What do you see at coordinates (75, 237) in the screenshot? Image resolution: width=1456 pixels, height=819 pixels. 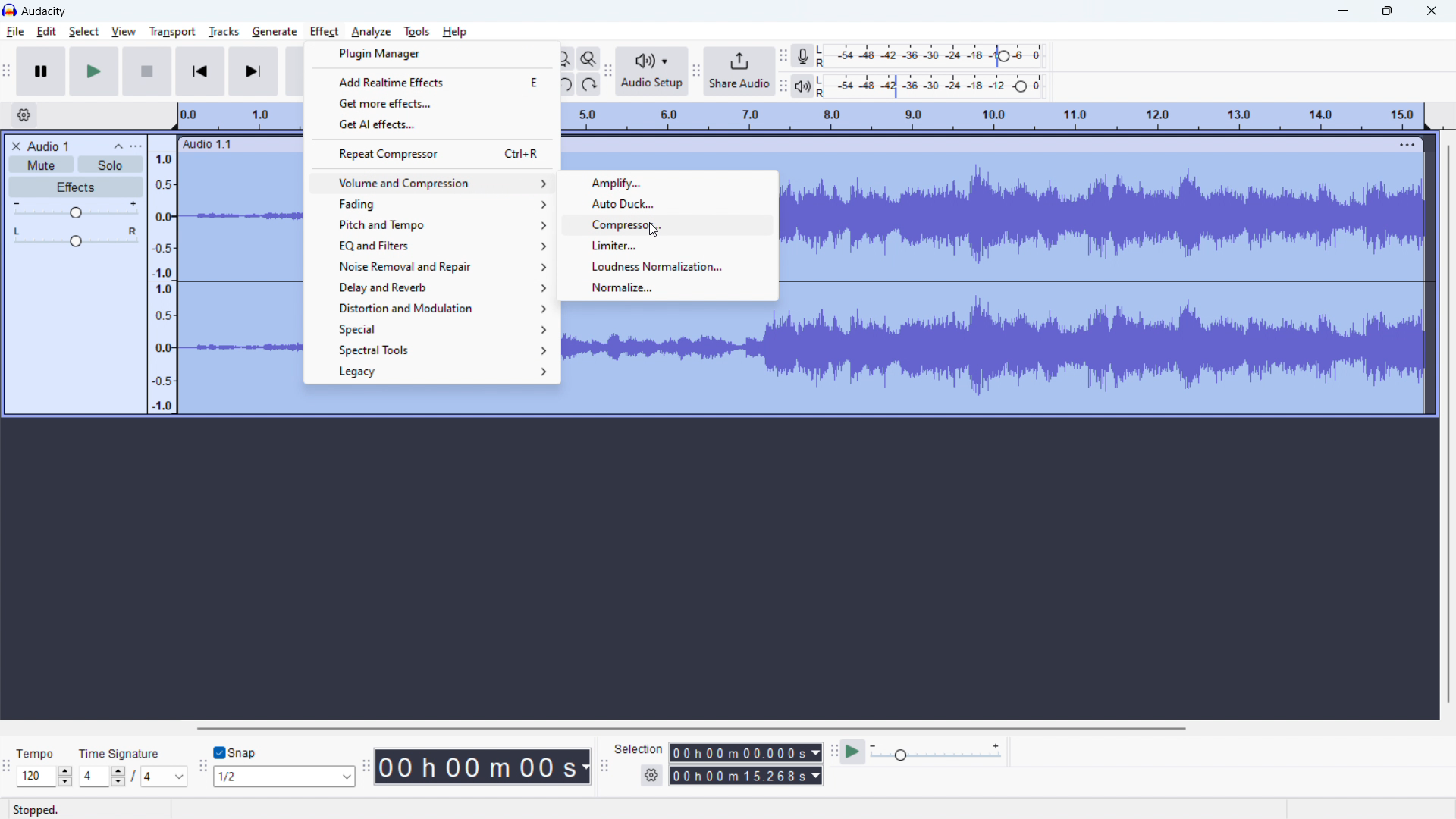 I see `pan: center` at bounding box center [75, 237].